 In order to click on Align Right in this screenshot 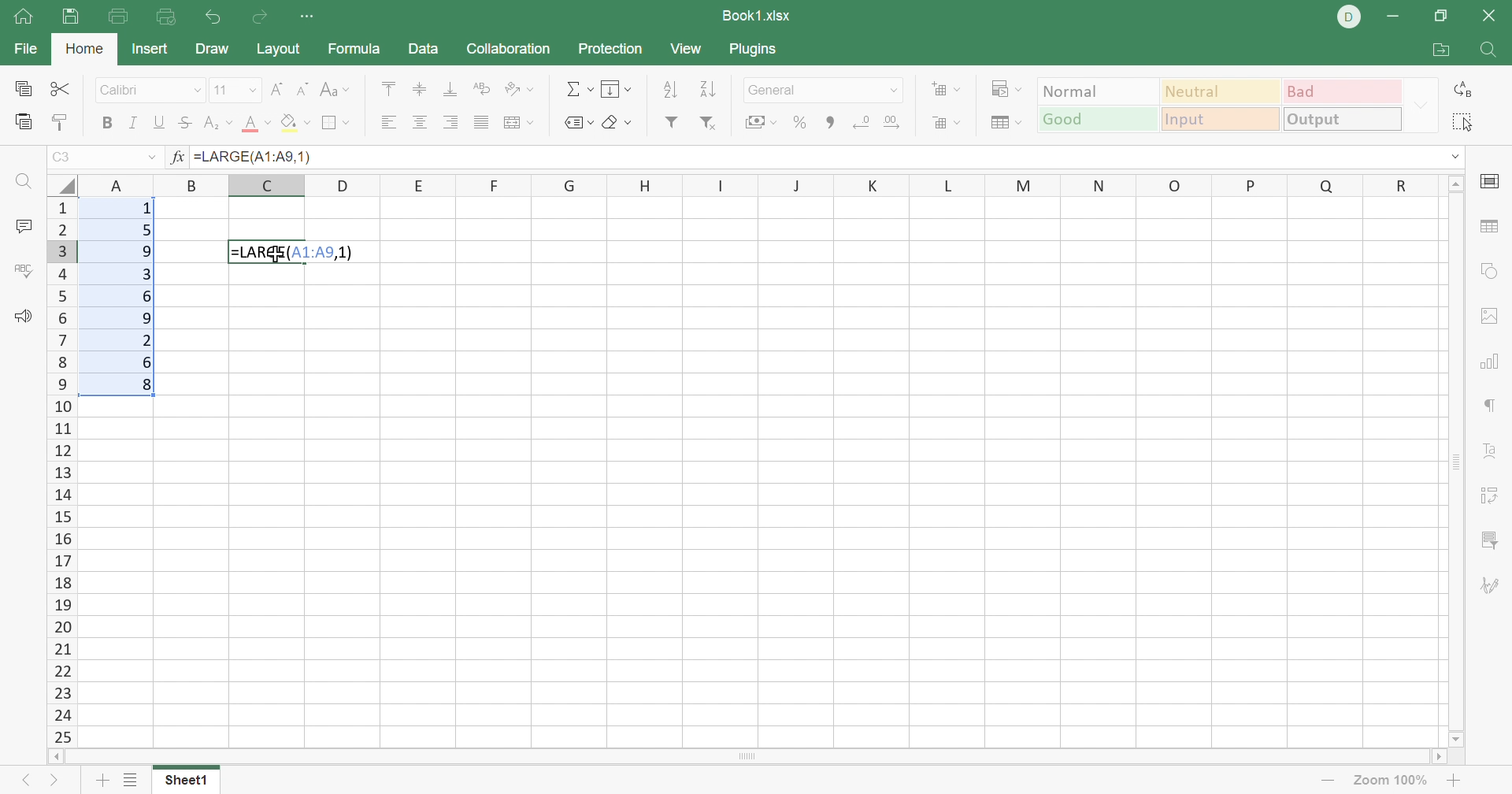, I will do `click(451, 123)`.